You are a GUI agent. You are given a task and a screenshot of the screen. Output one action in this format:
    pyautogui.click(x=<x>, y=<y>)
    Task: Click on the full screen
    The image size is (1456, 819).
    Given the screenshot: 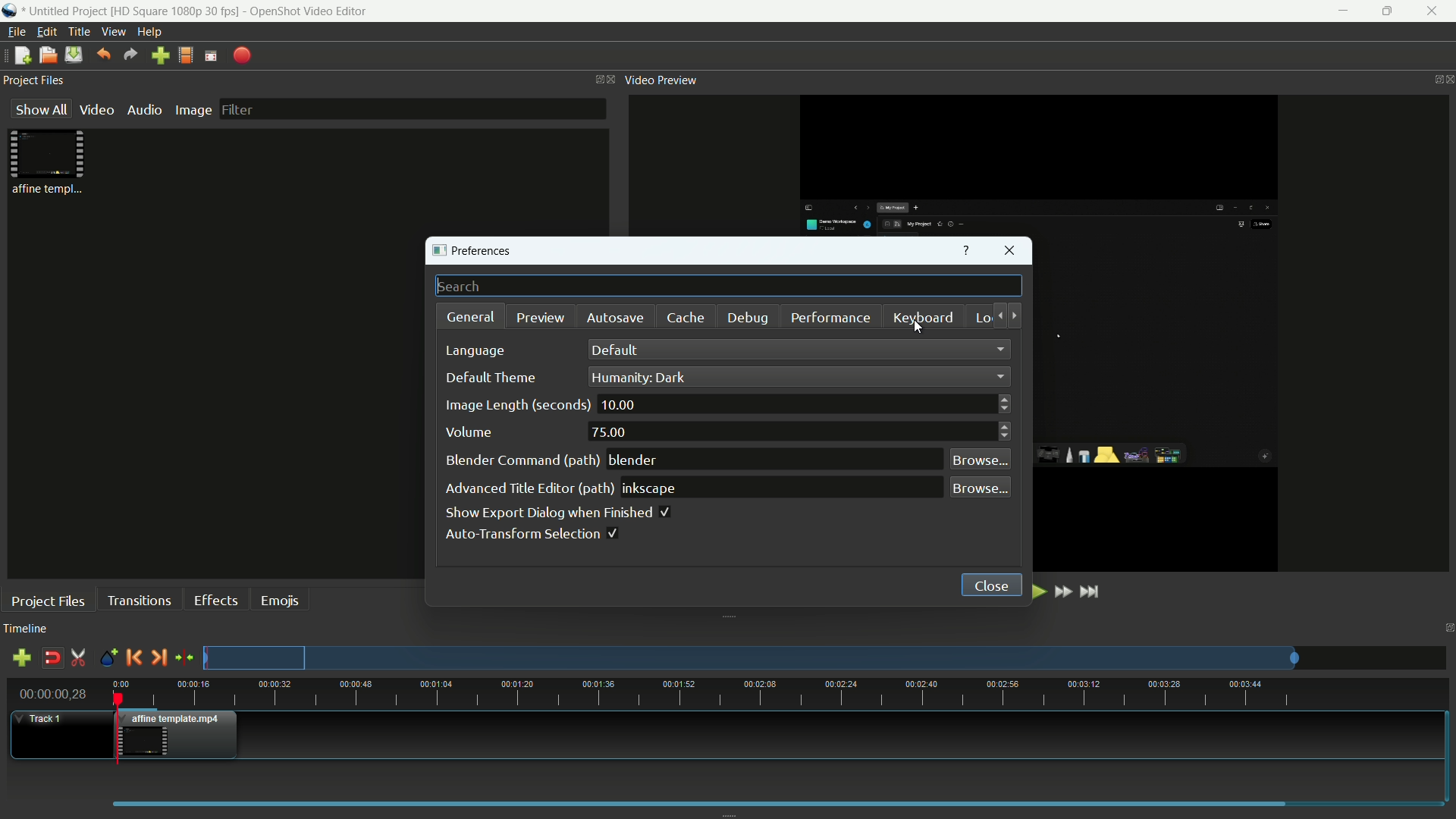 What is the action you would take?
    pyautogui.click(x=211, y=55)
    